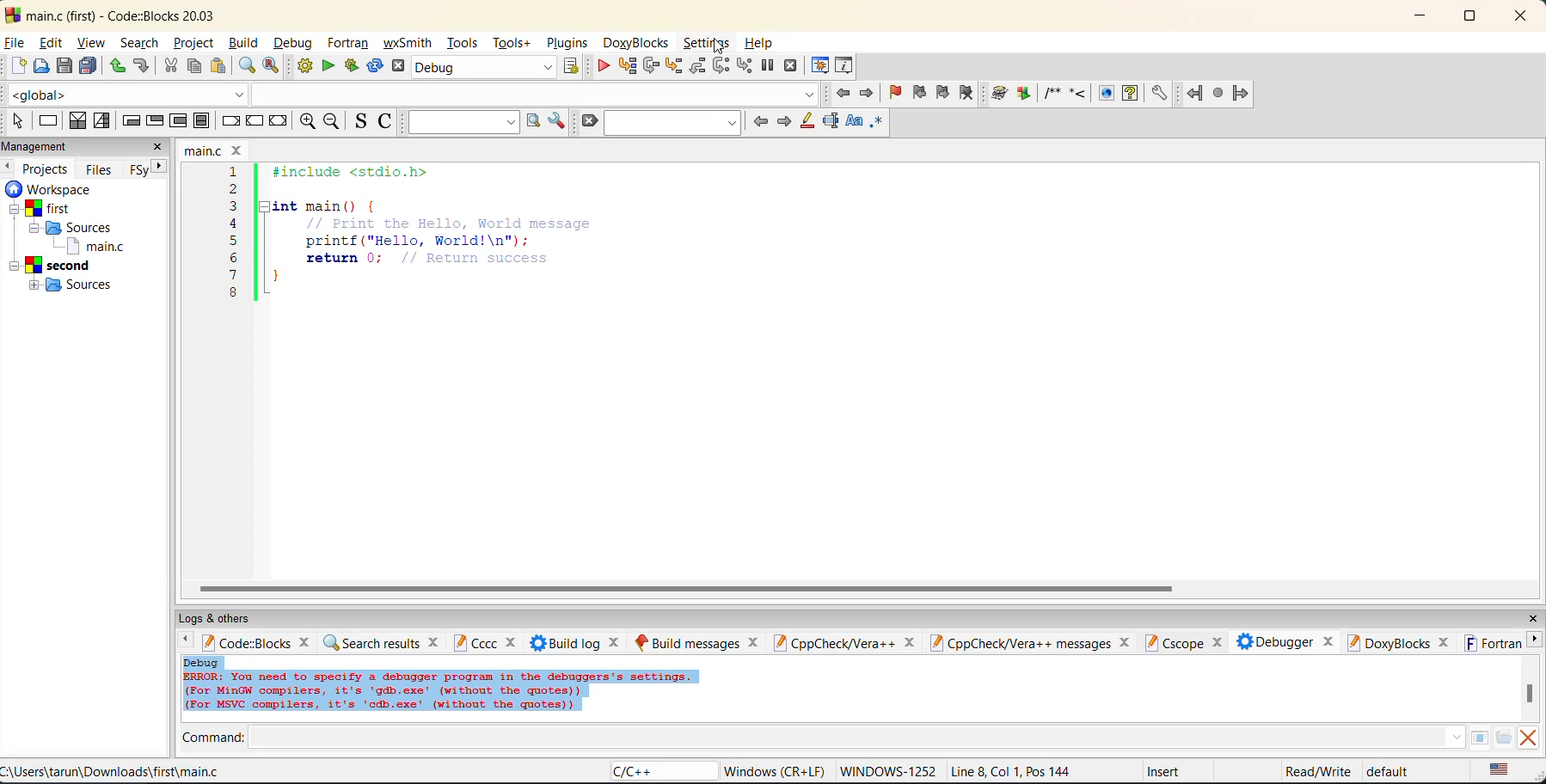  I want to click on class, so click(535, 92).